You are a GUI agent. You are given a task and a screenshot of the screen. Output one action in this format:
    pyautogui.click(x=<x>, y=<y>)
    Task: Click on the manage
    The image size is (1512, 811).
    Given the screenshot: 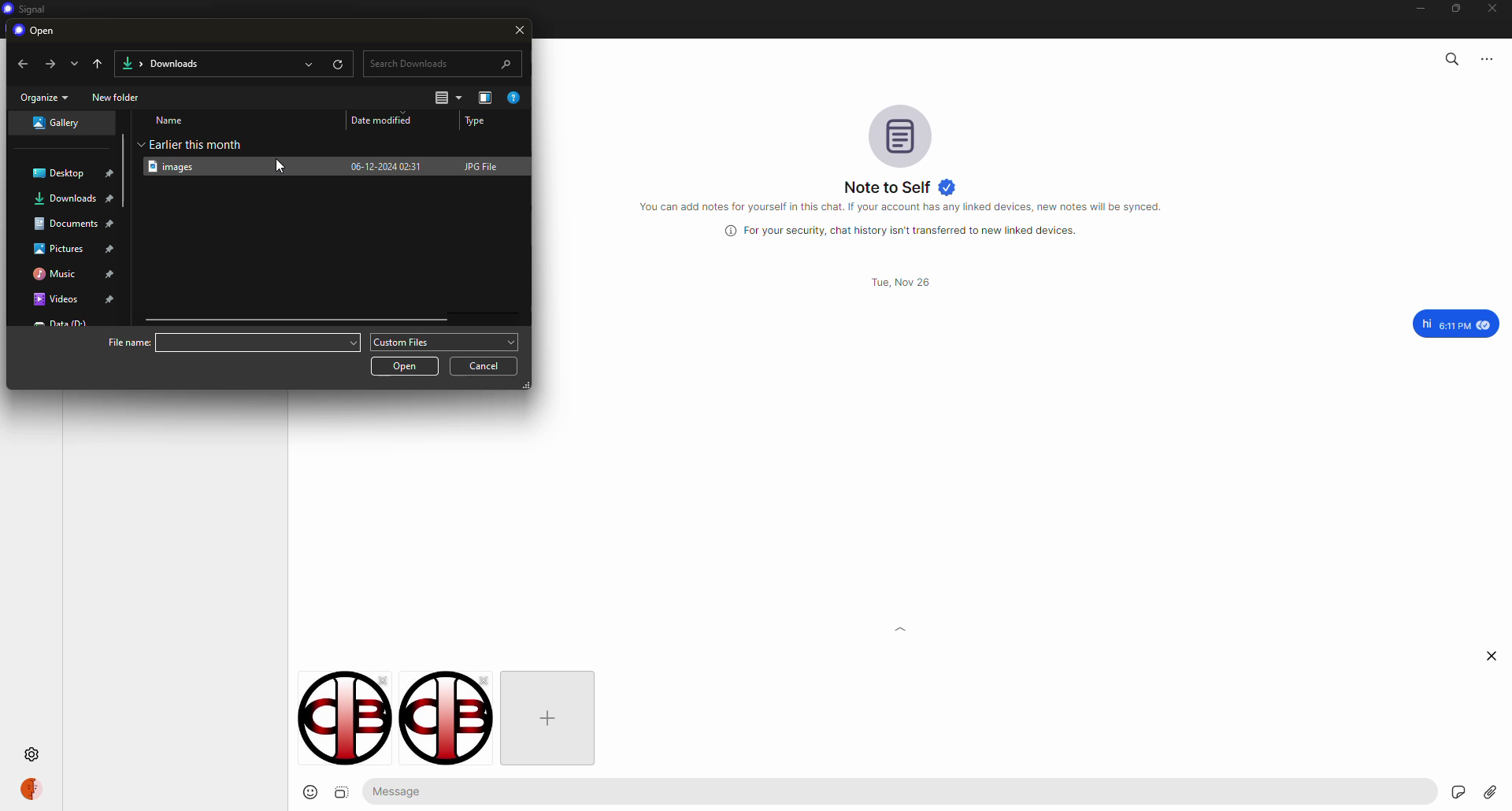 What is the action you would take?
    pyautogui.click(x=485, y=98)
    